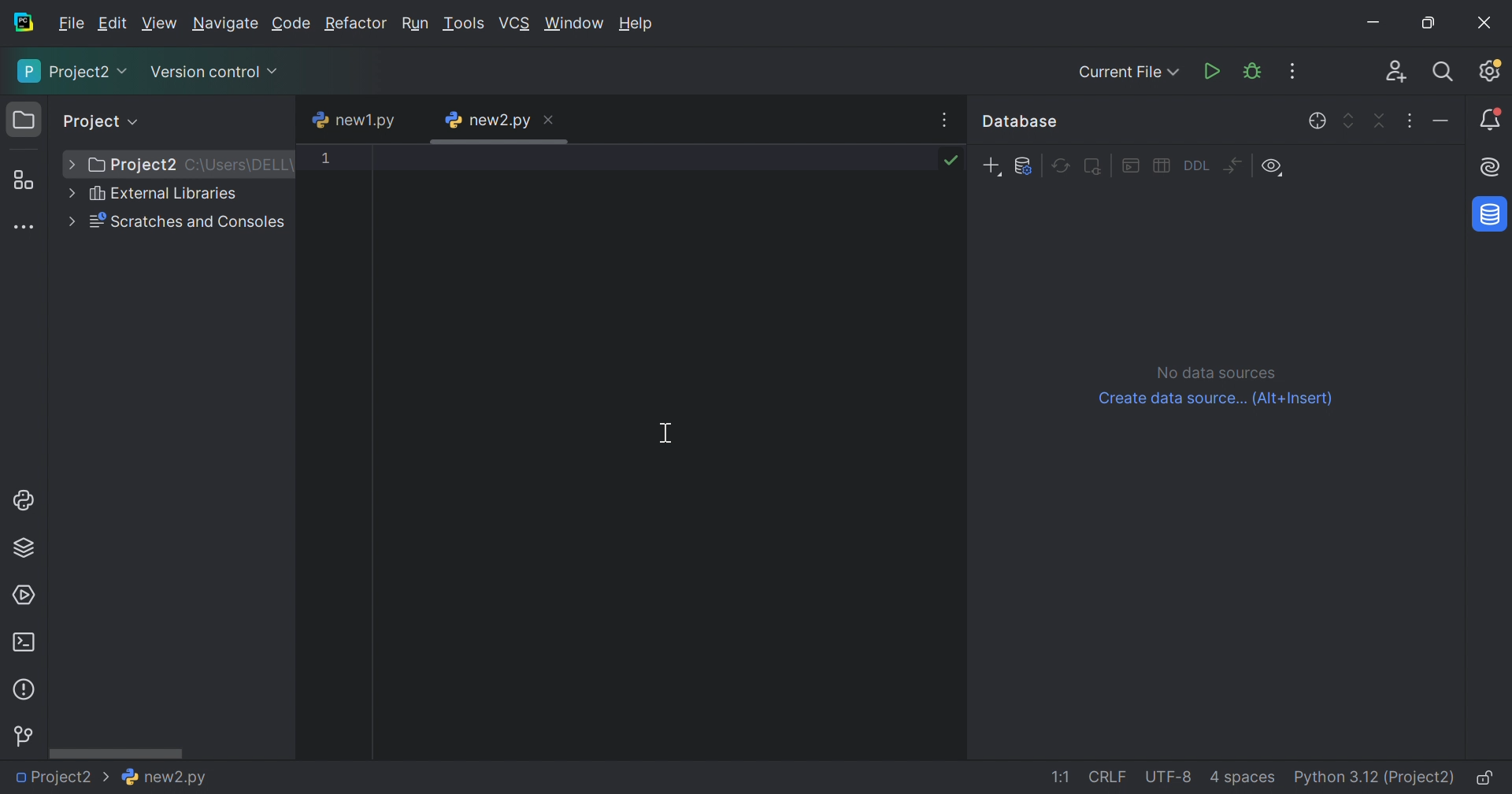  What do you see at coordinates (71, 222) in the screenshot?
I see `More` at bounding box center [71, 222].